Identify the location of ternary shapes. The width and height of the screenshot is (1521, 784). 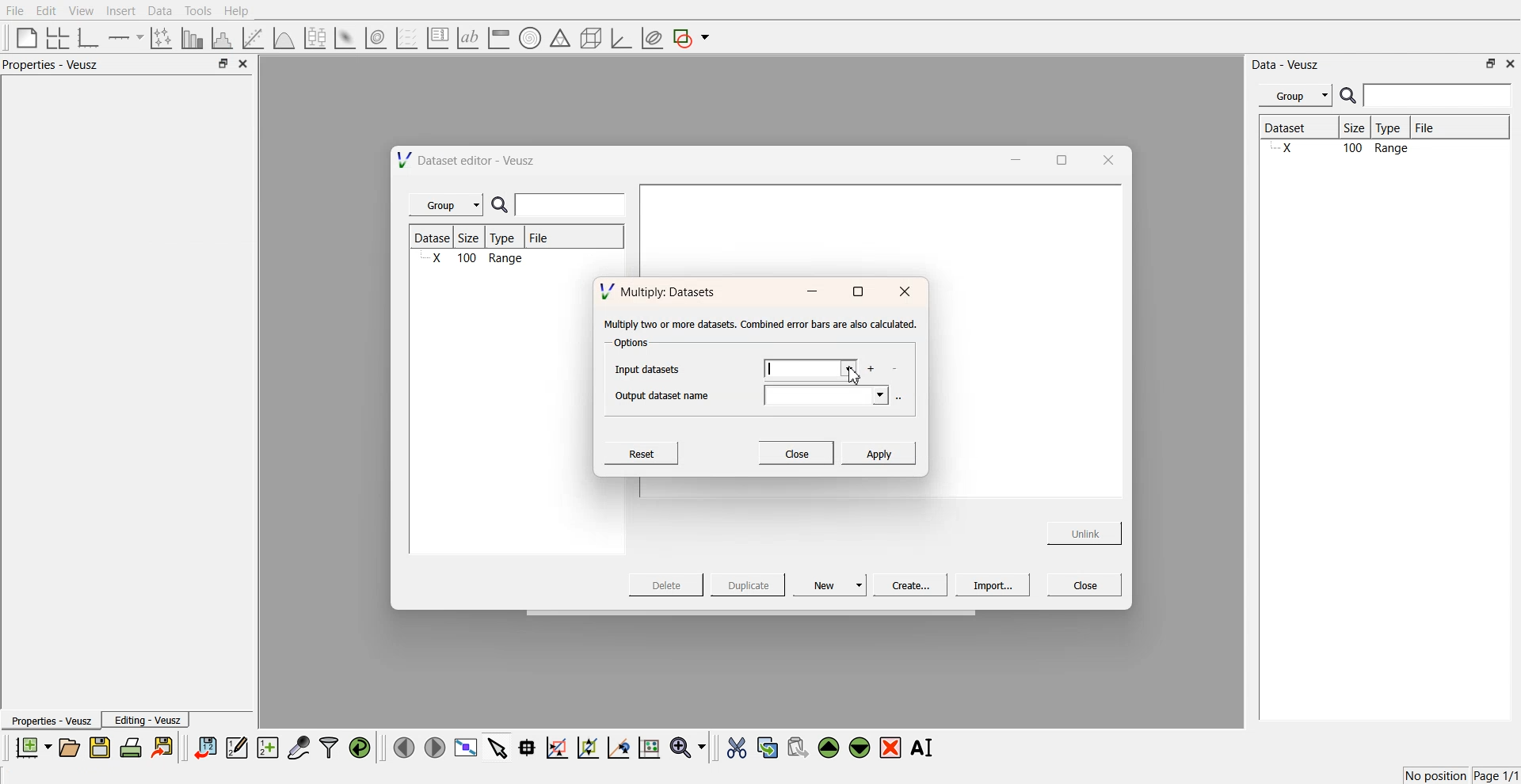
(558, 40).